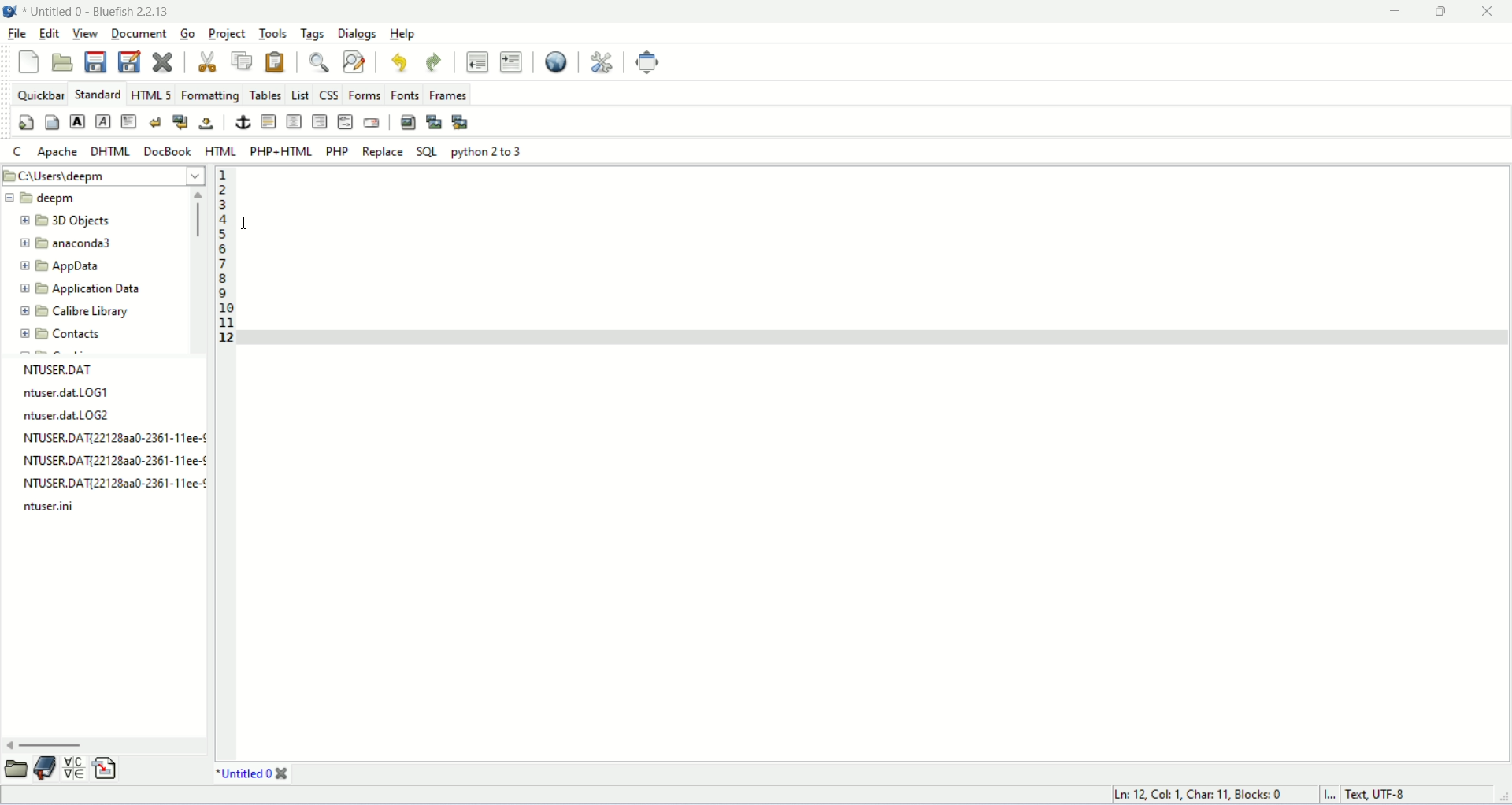 This screenshot has height=805, width=1512. Describe the element at coordinates (246, 774) in the screenshot. I see `file name` at that location.